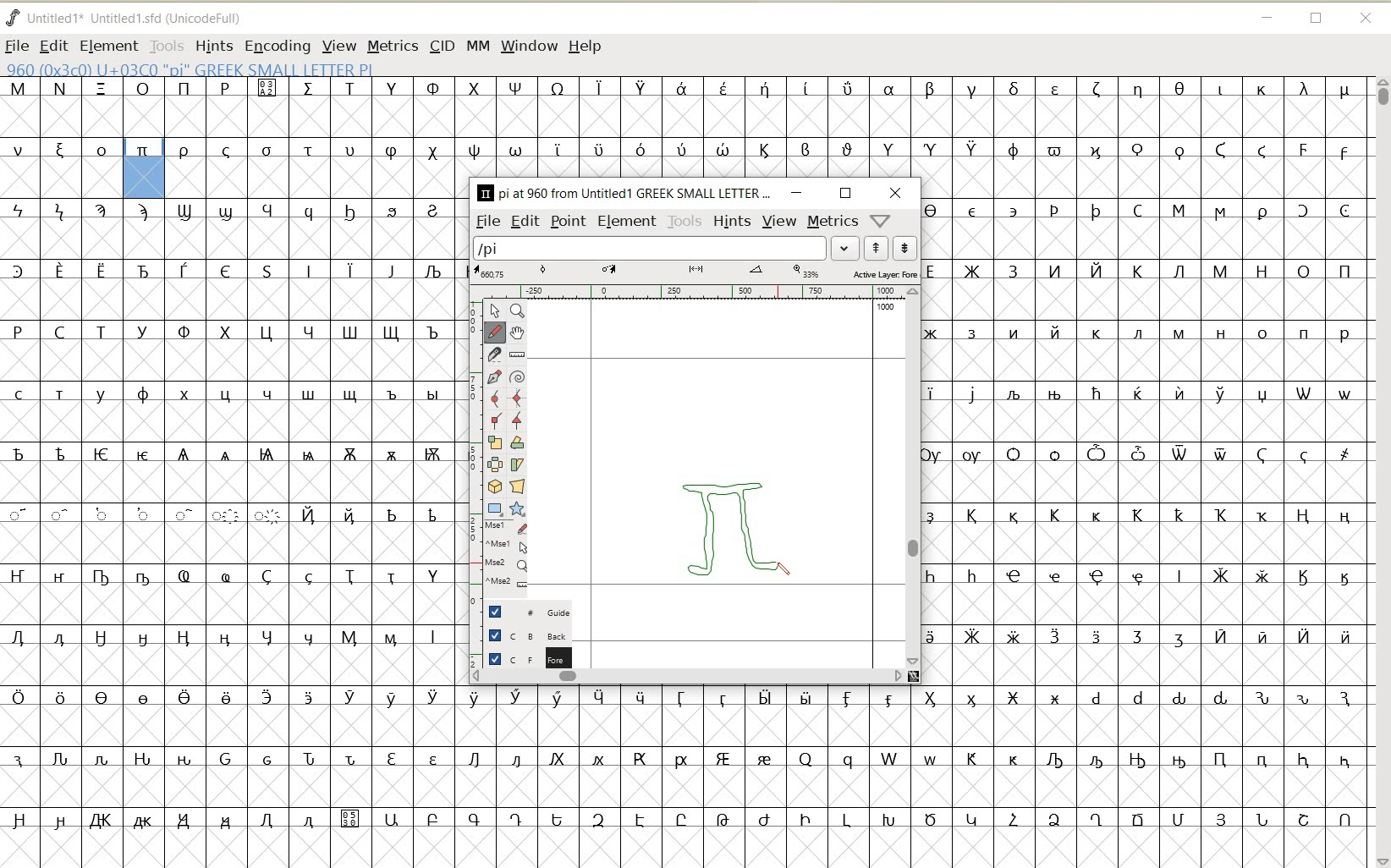  I want to click on FILE, so click(487, 222).